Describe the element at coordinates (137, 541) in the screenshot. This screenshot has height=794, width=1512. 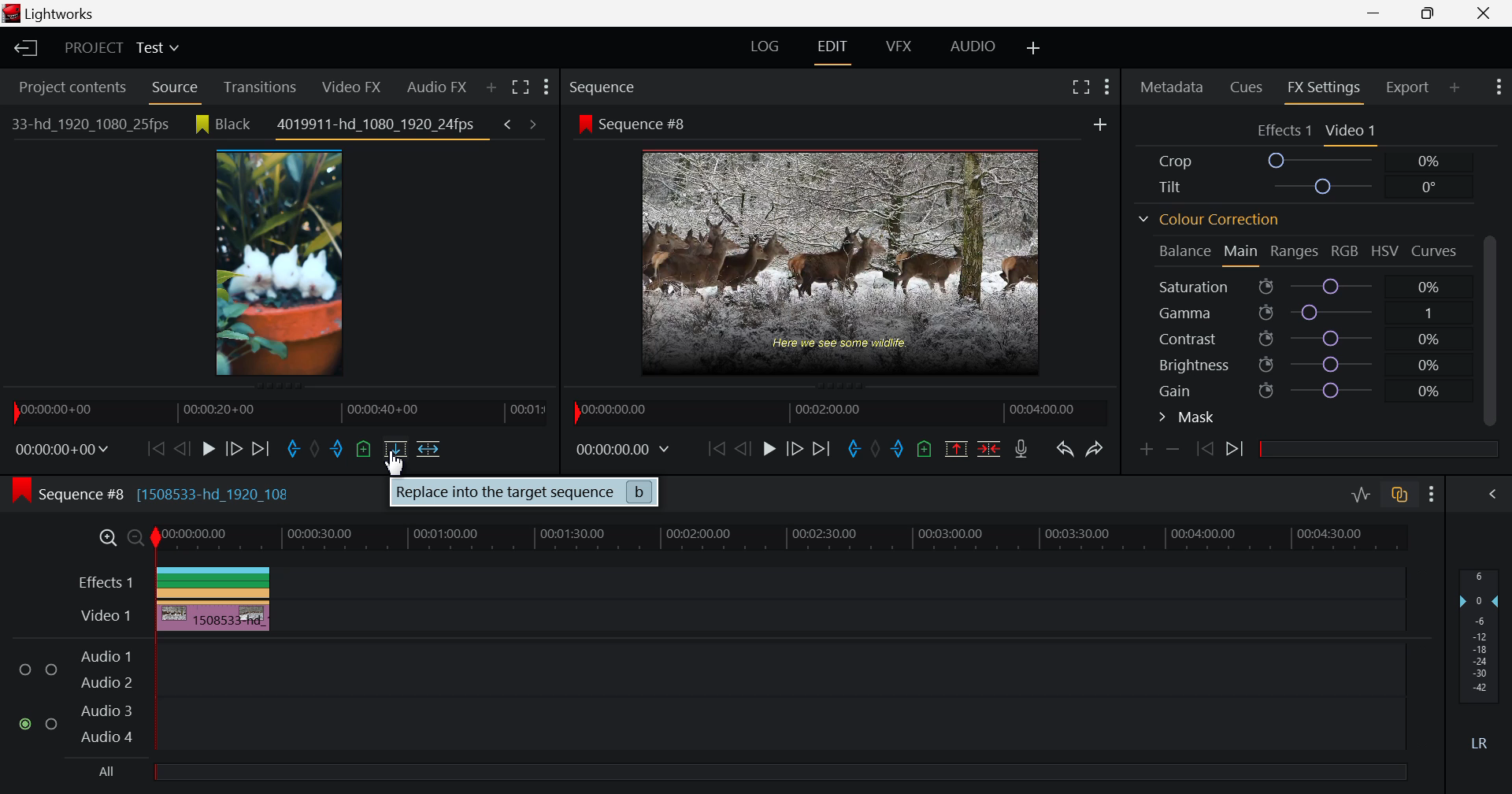
I see `Timeline Zoom Out` at that location.